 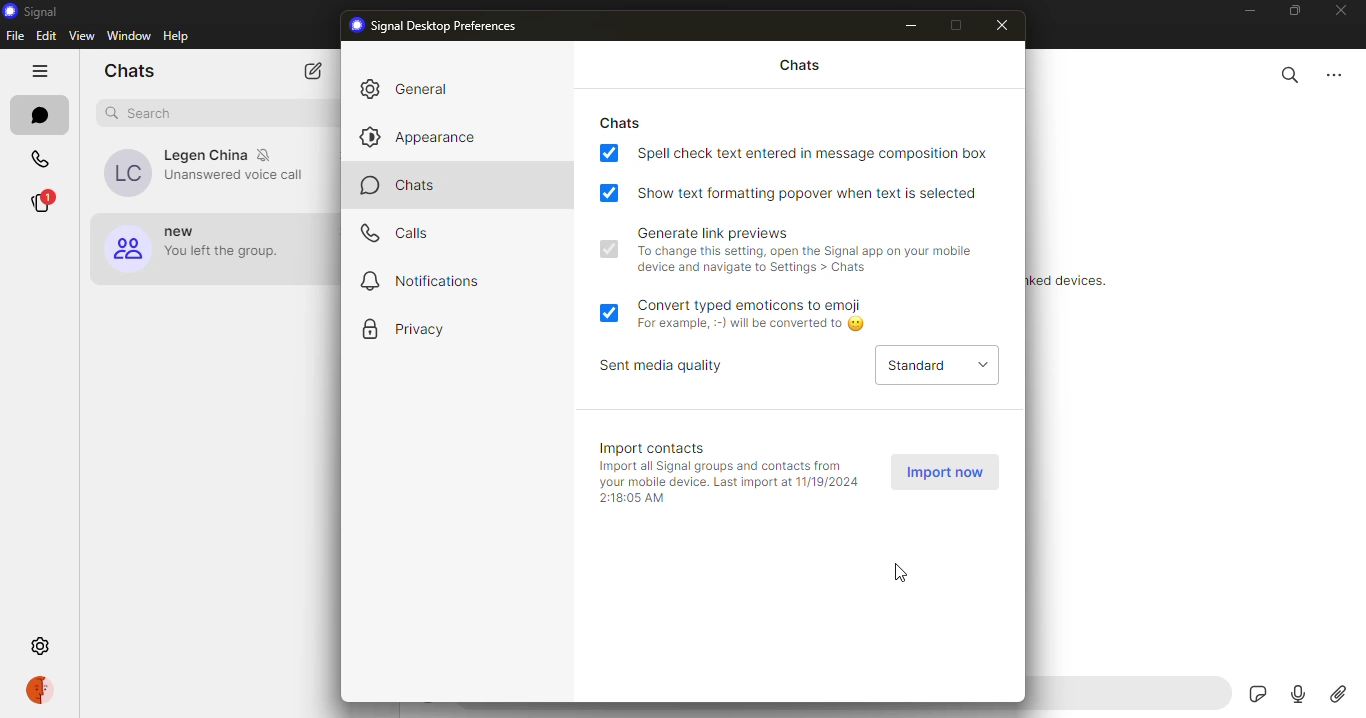 I want to click on calls, so click(x=40, y=160).